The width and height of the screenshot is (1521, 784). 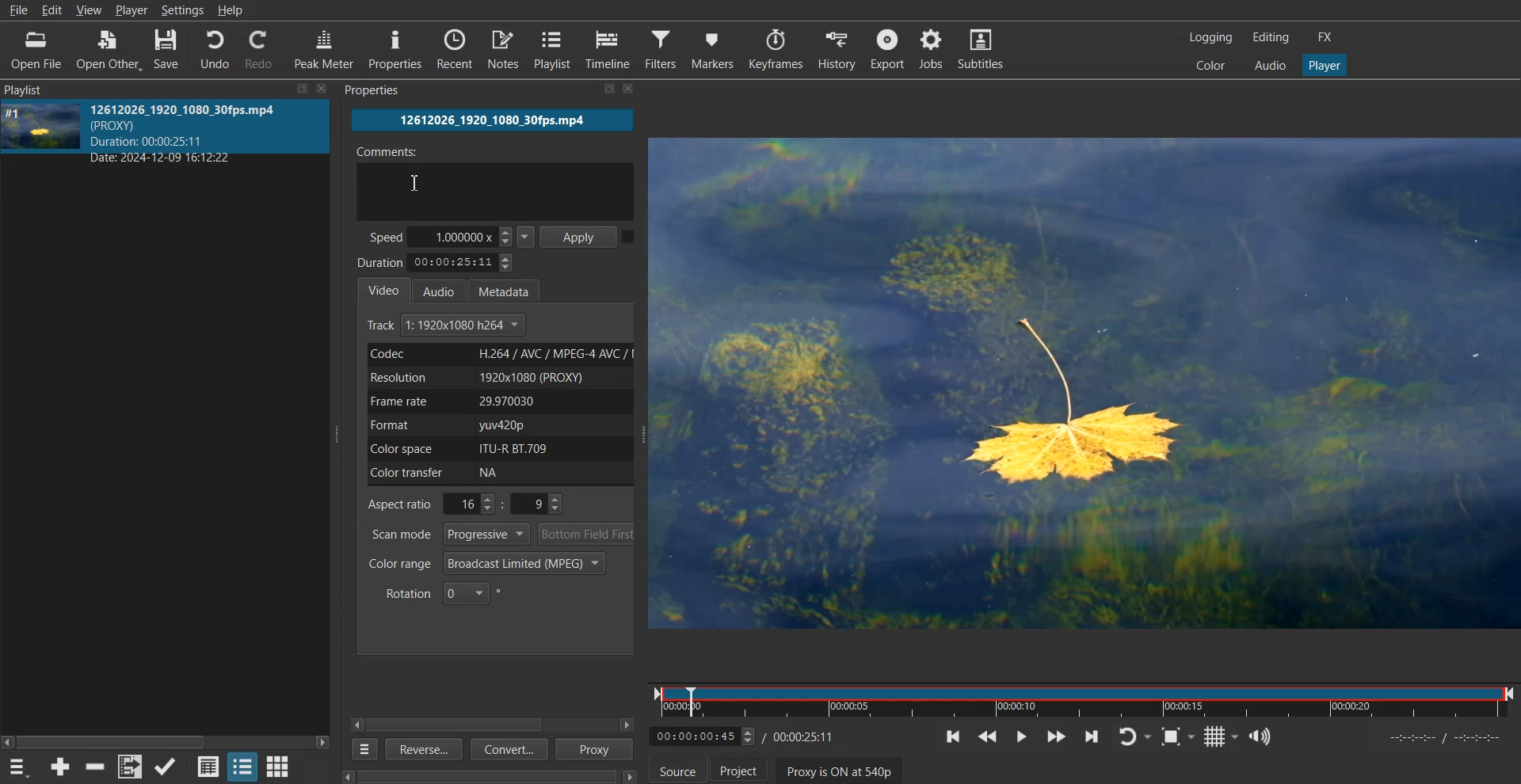 I want to click on Drag handle, so click(x=646, y=436).